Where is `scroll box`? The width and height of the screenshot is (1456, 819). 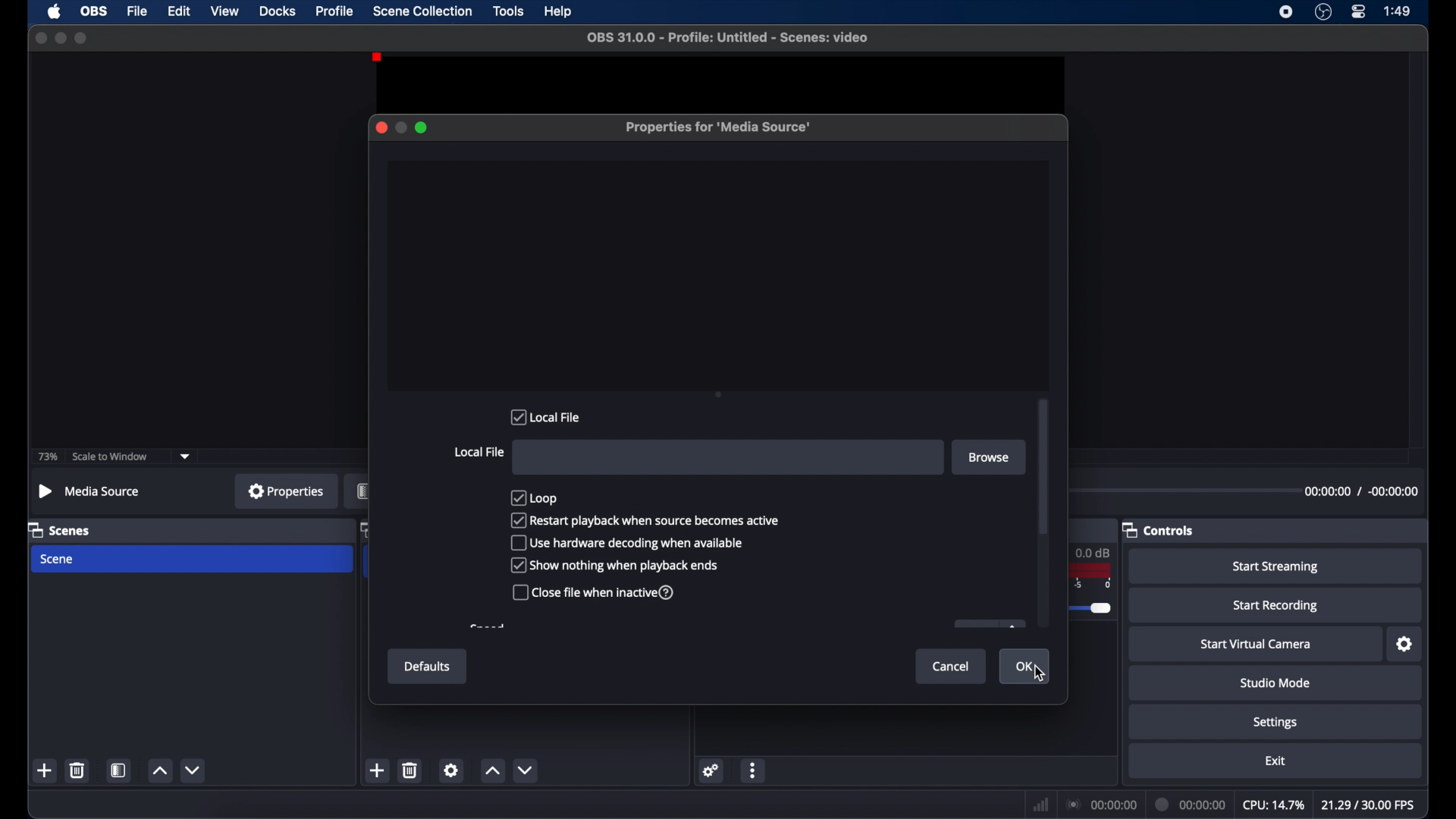
scroll box is located at coordinates (1043, 468).